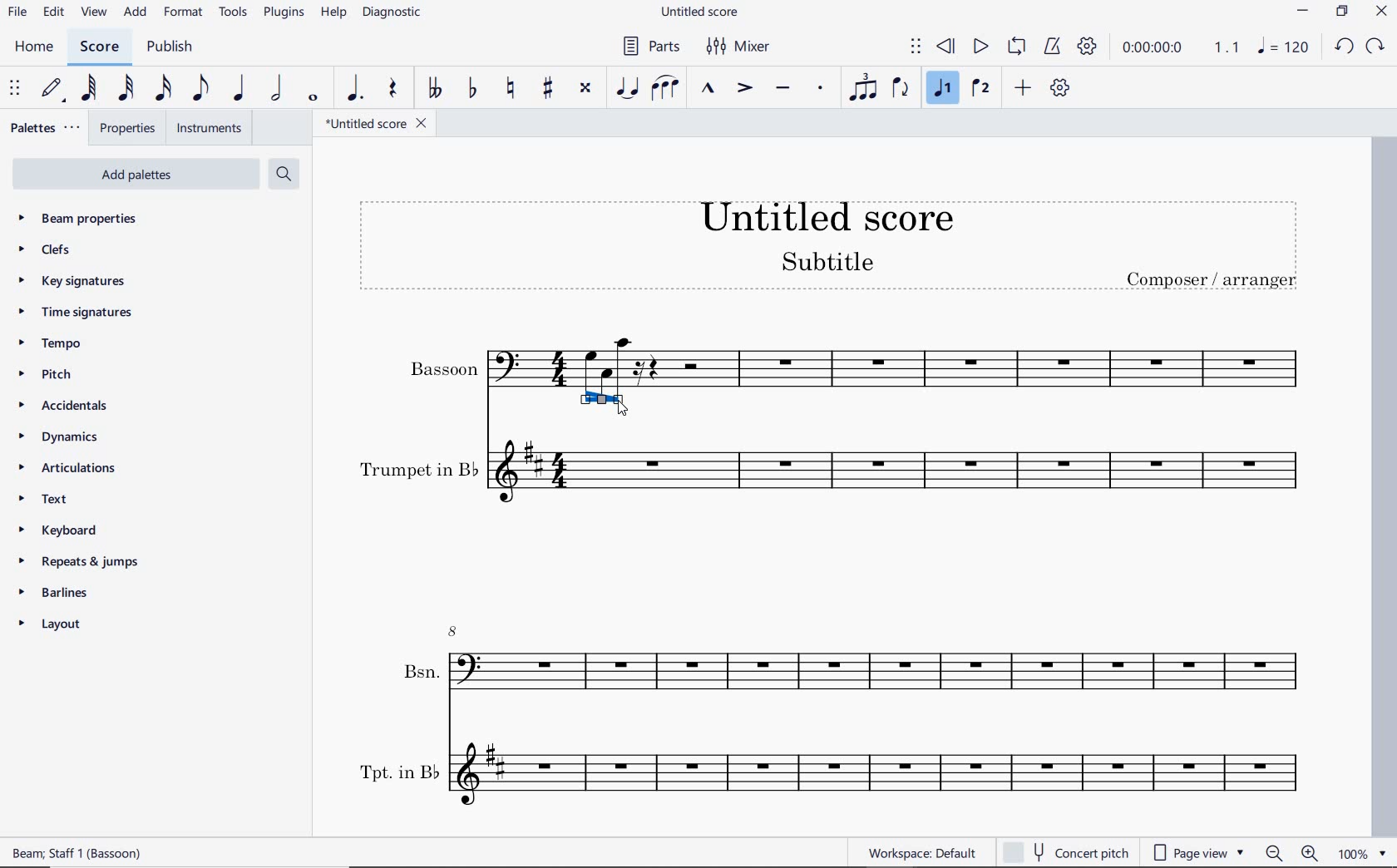 The height and width of the screenshot is (868, 1397). Describe the element at coordinates (822, 89) in the screenshot. I see `staccato` at that location.